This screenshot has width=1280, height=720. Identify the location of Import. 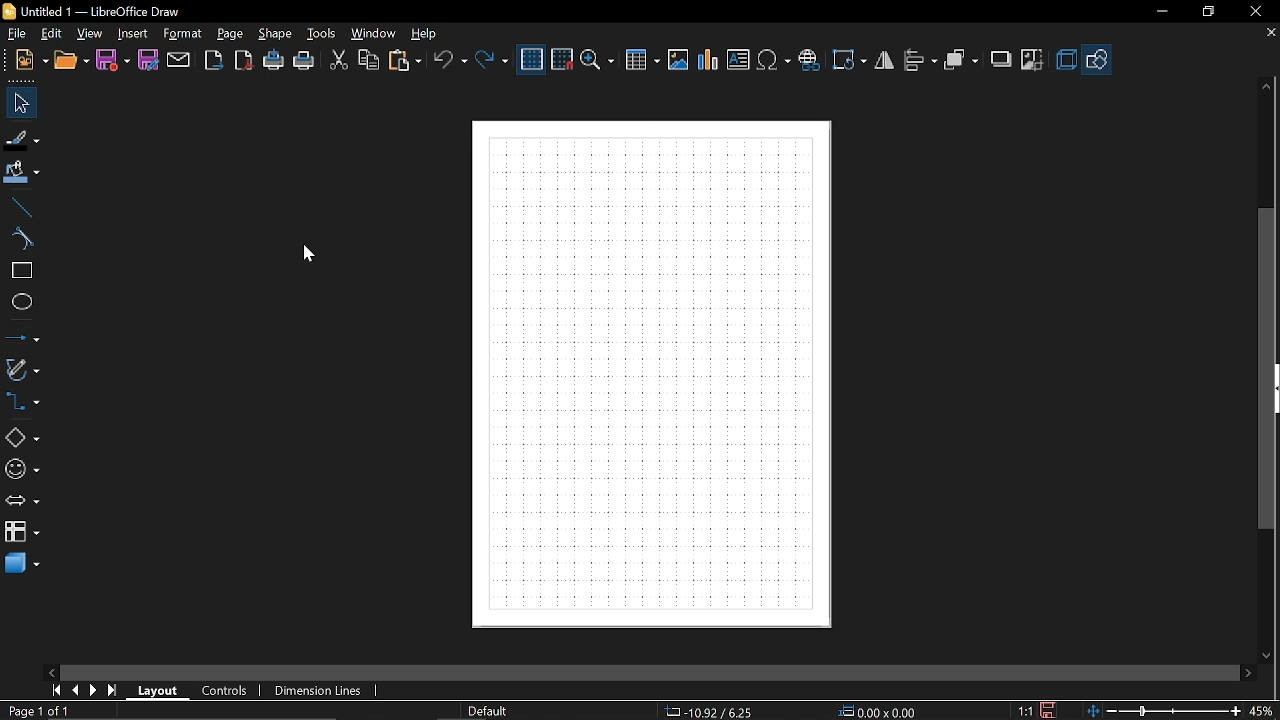
(213, 62).